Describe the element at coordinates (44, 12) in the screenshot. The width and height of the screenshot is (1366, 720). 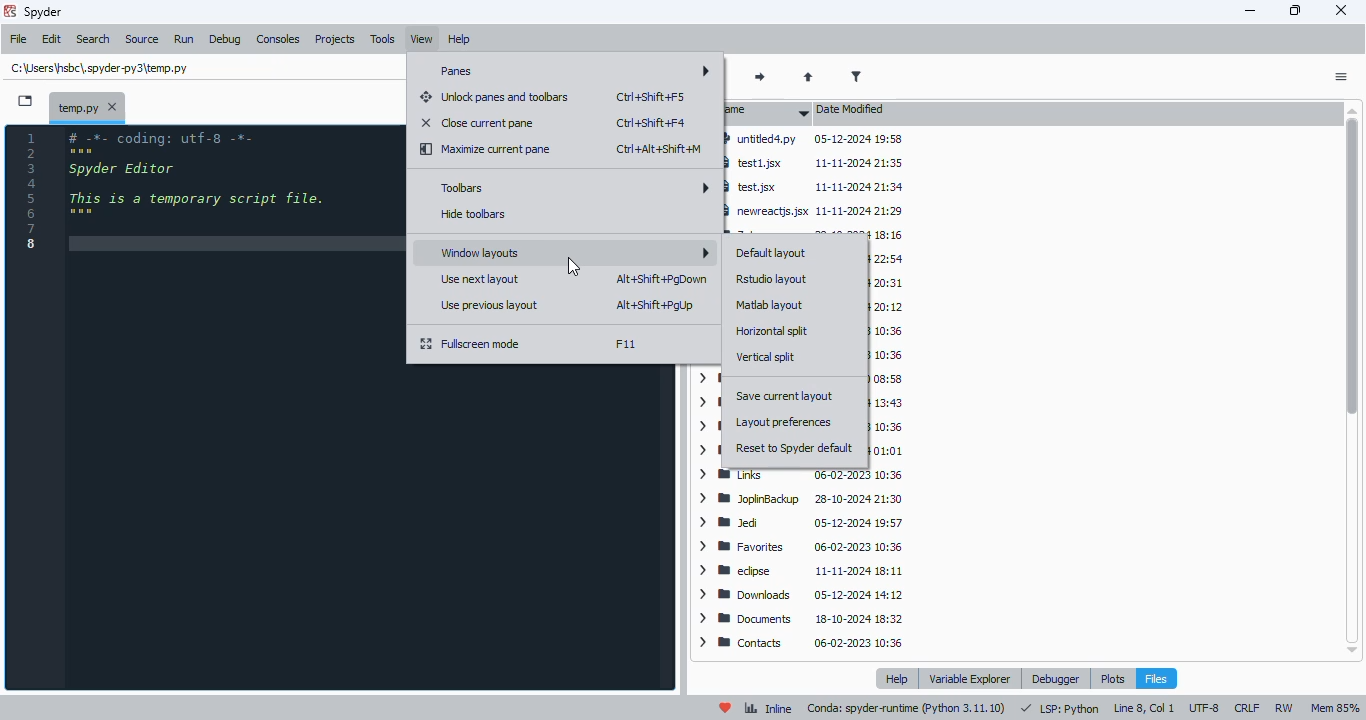
I see `spyder` at that location.